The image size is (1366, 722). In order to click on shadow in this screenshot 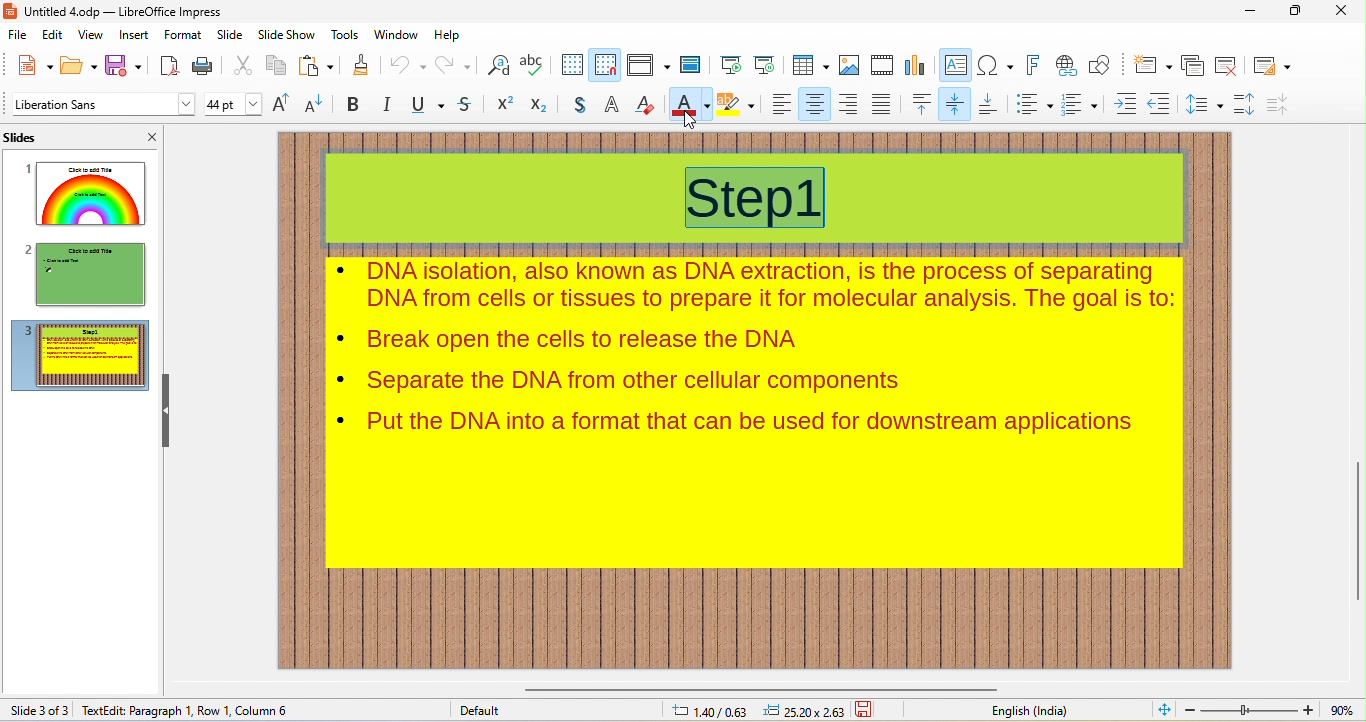, I will do `click(581, 106)`.